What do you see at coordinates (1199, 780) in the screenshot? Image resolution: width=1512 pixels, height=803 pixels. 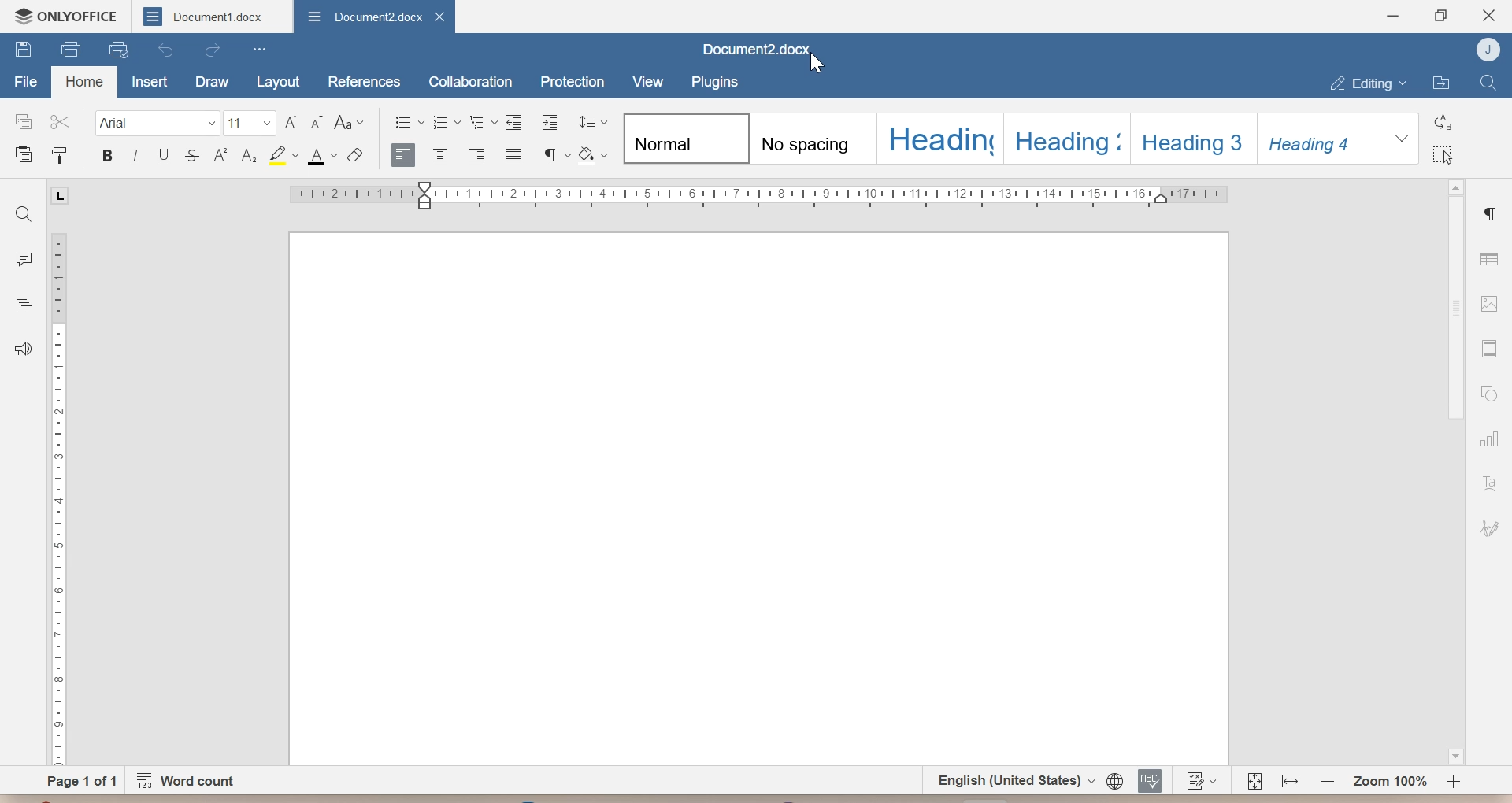 I see `Track changes` at bounding box center [1199, 780].